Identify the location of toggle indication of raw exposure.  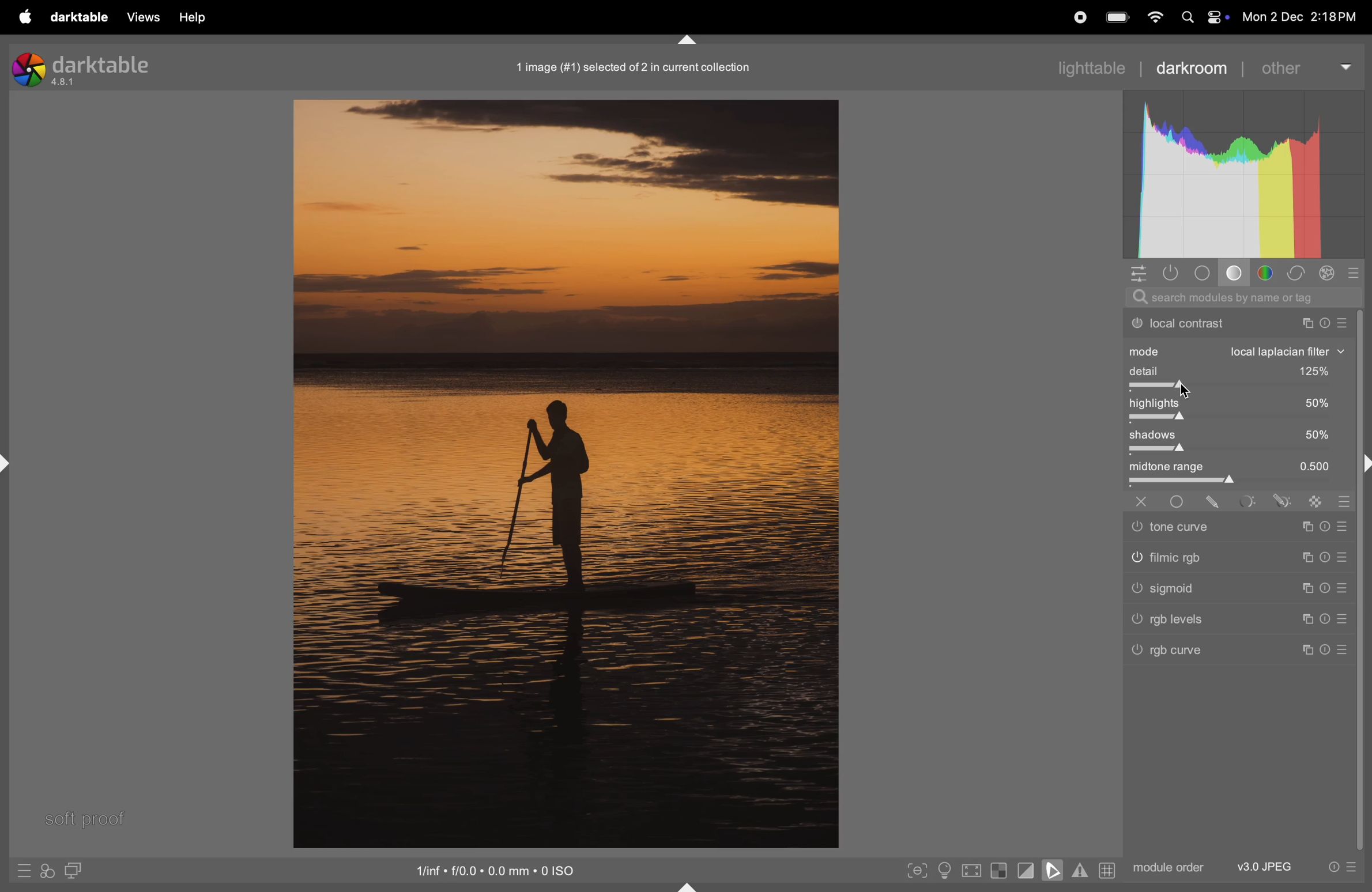
(1000, 870).